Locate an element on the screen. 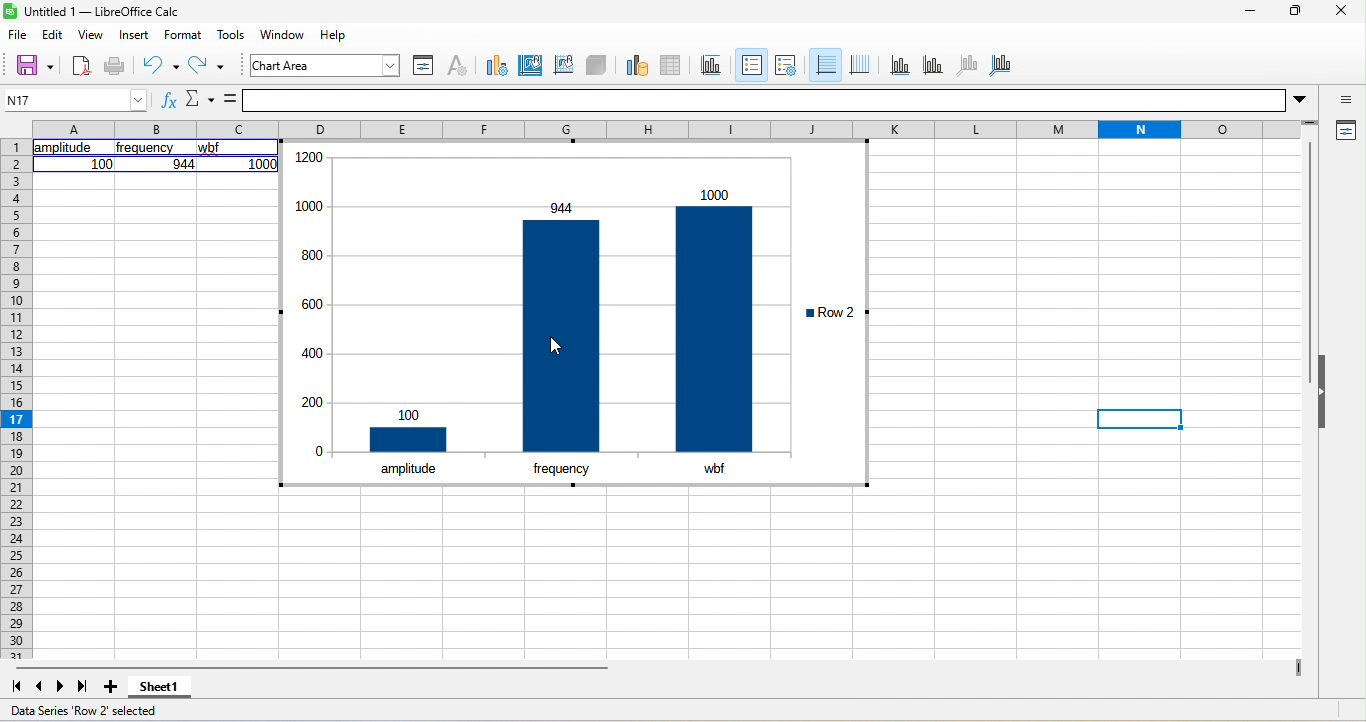  chart area is located at coordinates (528, 66).